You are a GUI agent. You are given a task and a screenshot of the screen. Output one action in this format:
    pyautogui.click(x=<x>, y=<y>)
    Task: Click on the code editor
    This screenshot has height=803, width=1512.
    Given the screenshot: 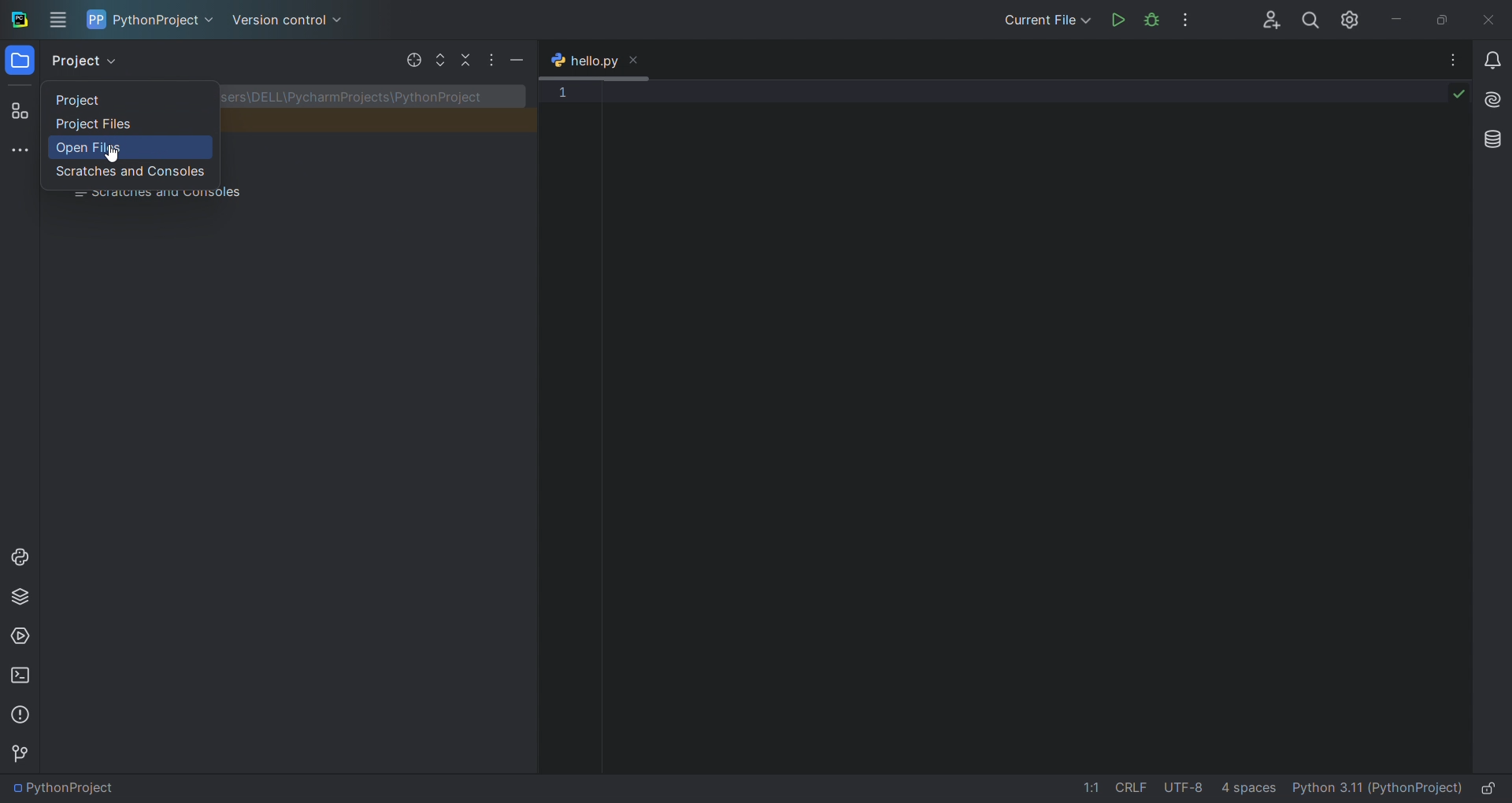 What is the action you would take?
    pyautogui.click(x=1031, y=426)
    